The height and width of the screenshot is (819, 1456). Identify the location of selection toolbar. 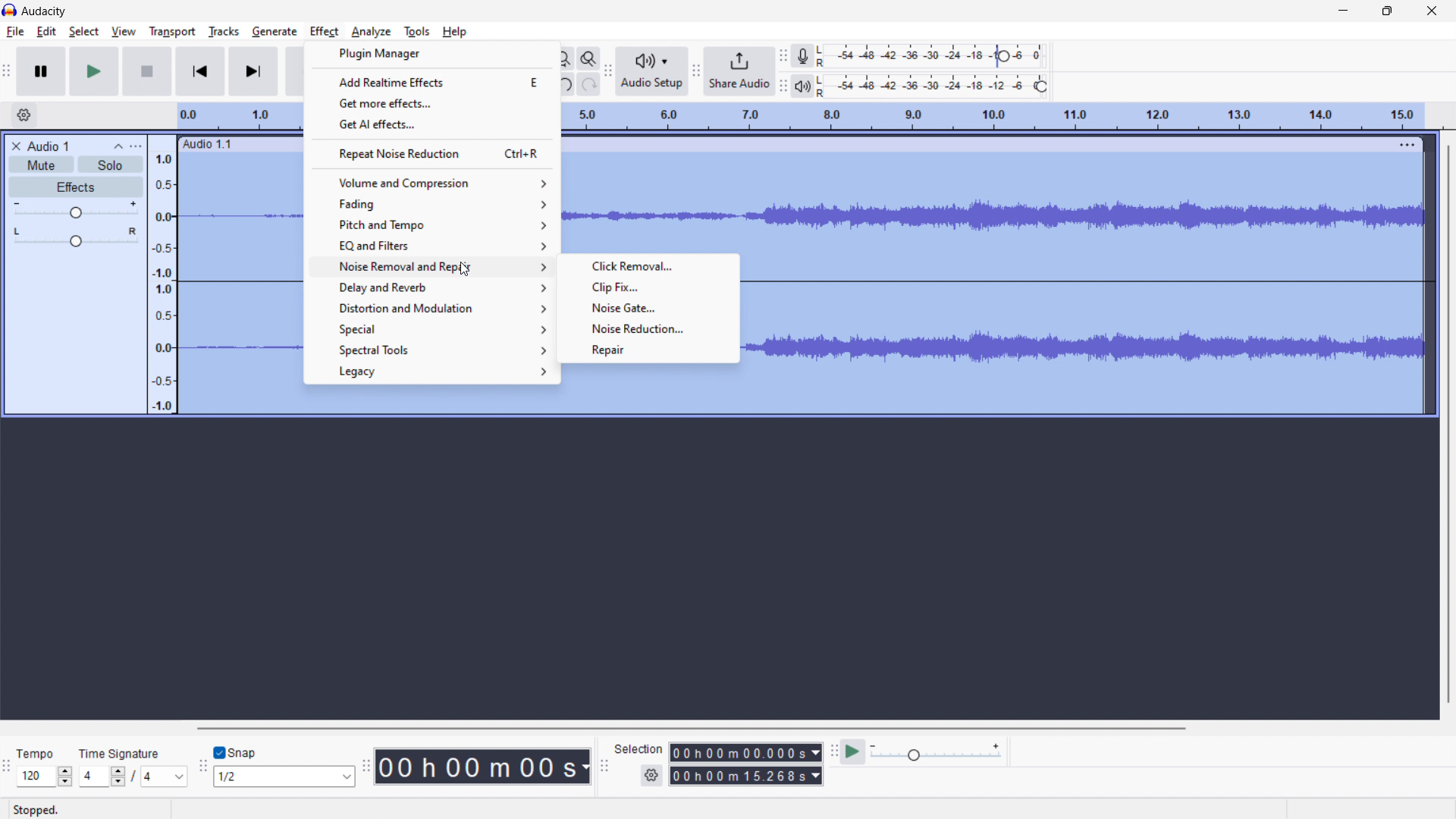
(604, 763).